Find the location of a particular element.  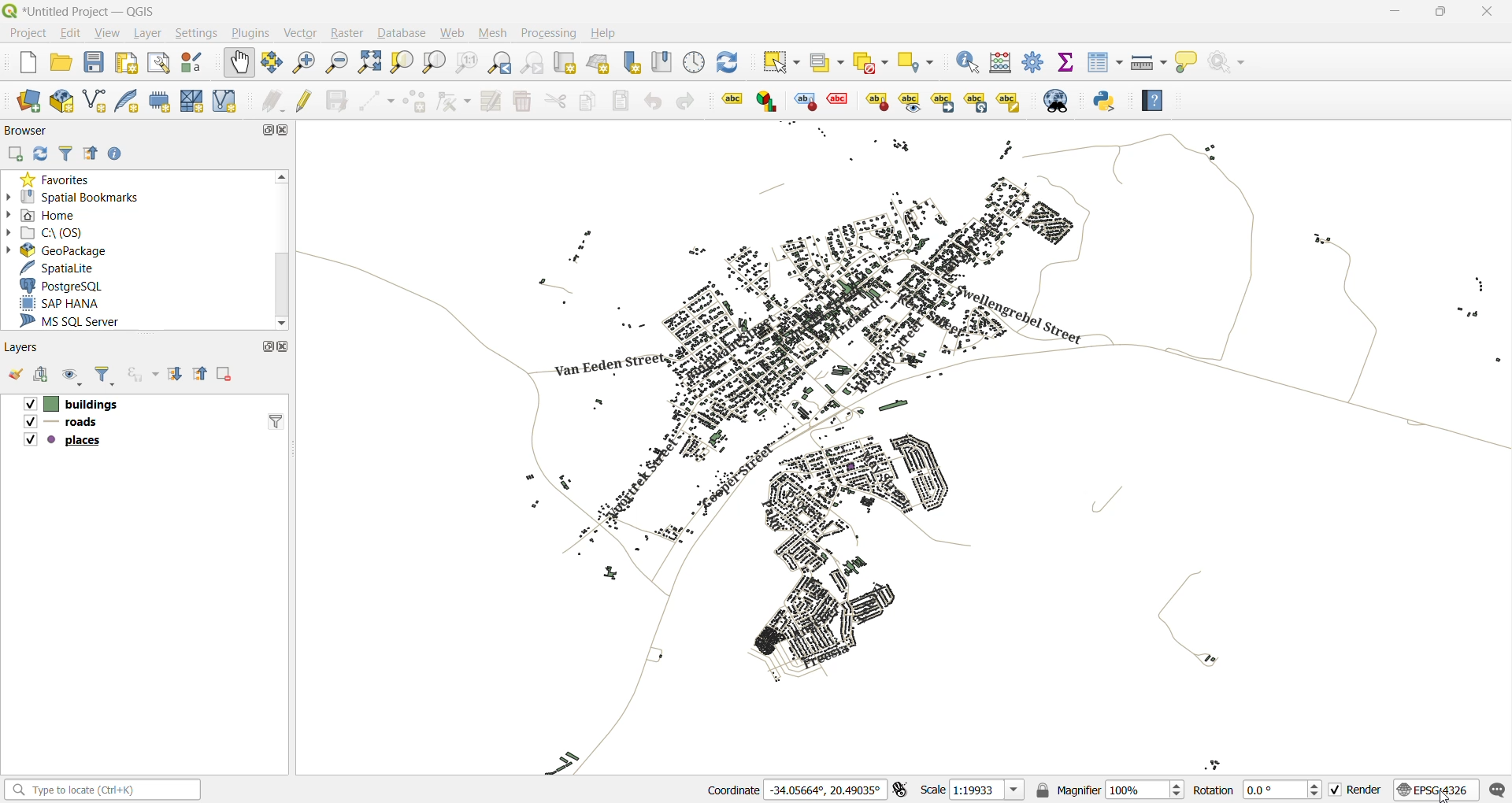

project is located at coordinates (25, 31).